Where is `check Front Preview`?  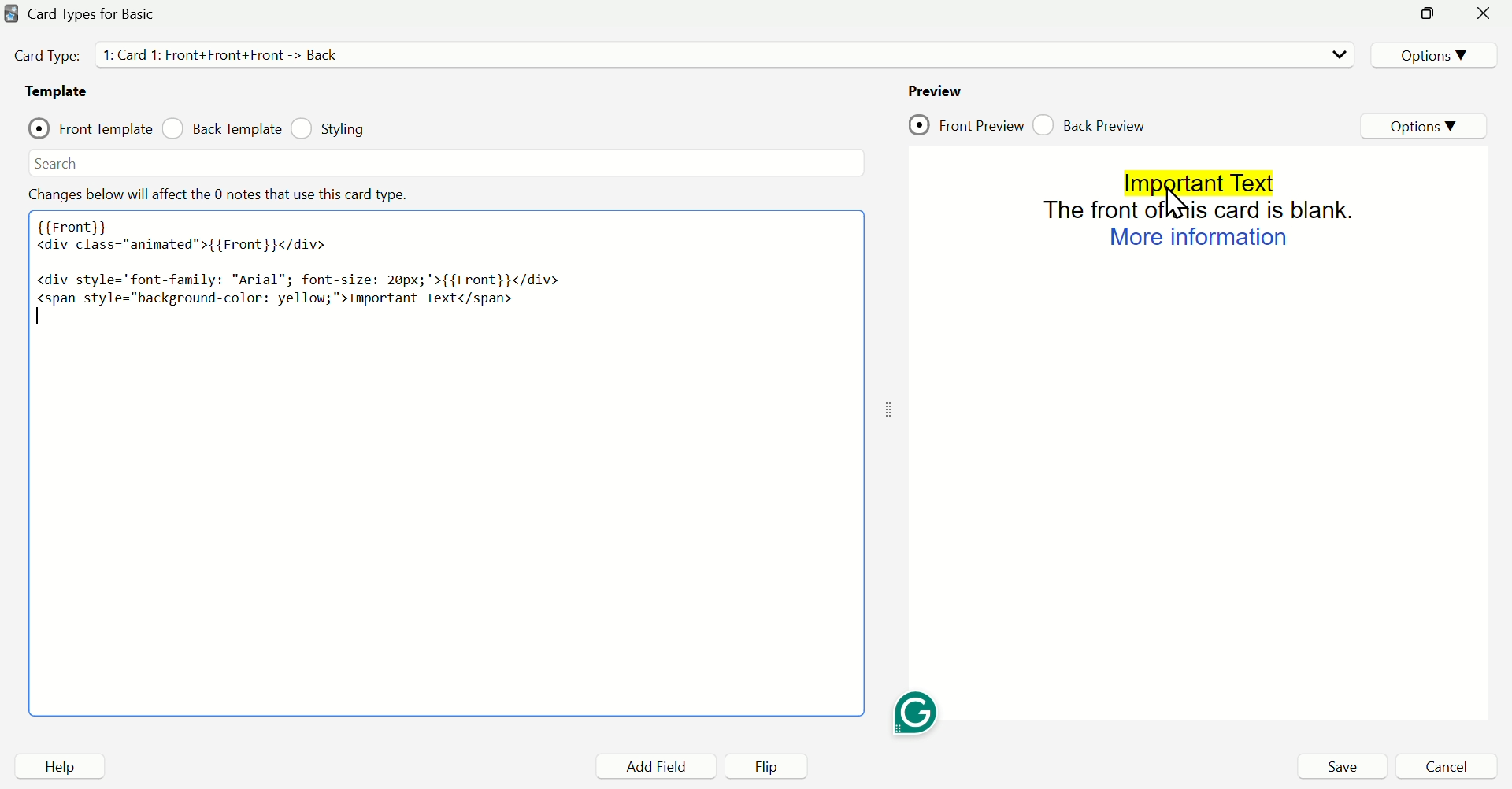
check Front Preview is located at coordinates (966, 122).